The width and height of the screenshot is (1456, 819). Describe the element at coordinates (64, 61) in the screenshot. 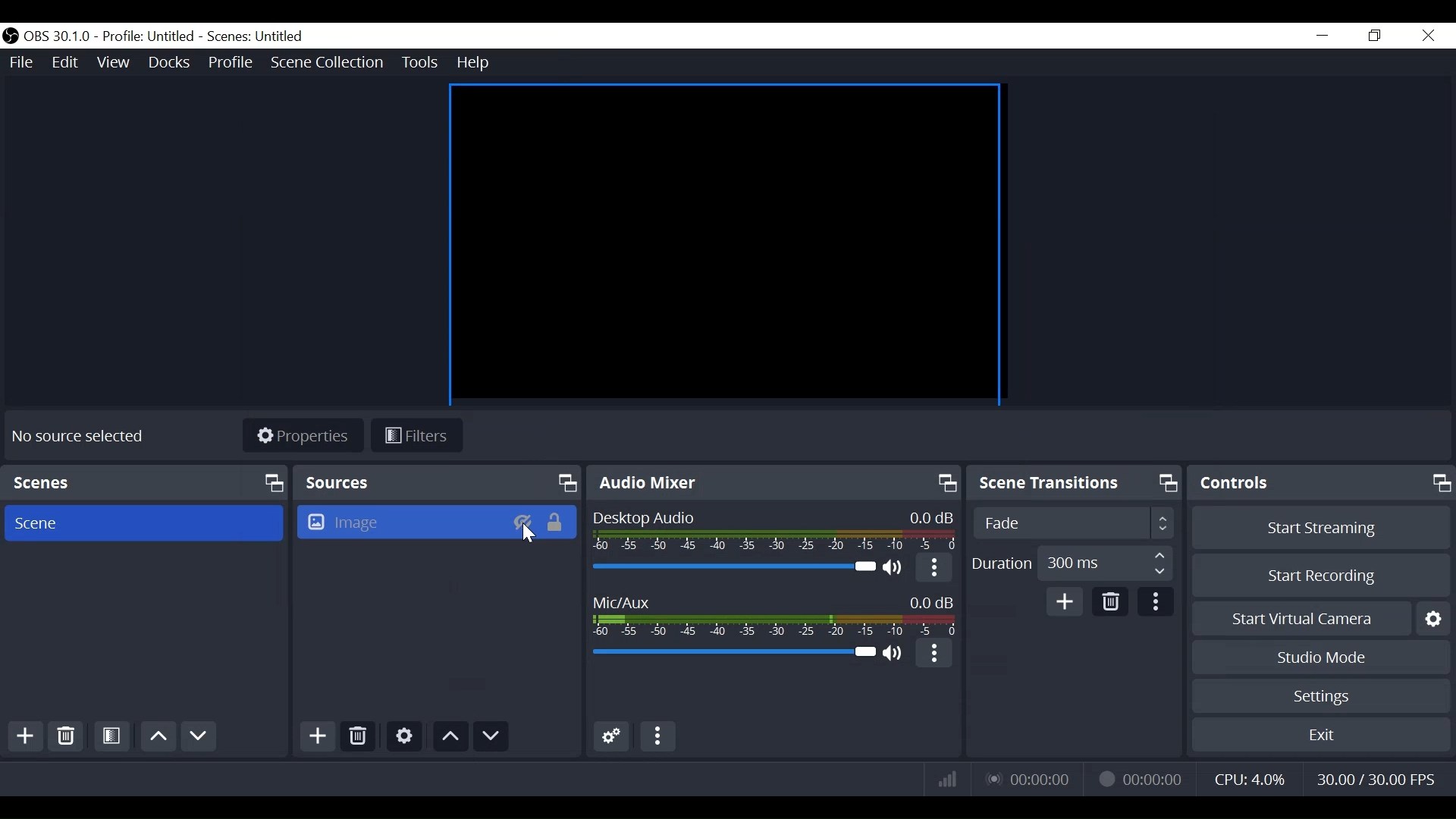

I see `Edit` at that location.